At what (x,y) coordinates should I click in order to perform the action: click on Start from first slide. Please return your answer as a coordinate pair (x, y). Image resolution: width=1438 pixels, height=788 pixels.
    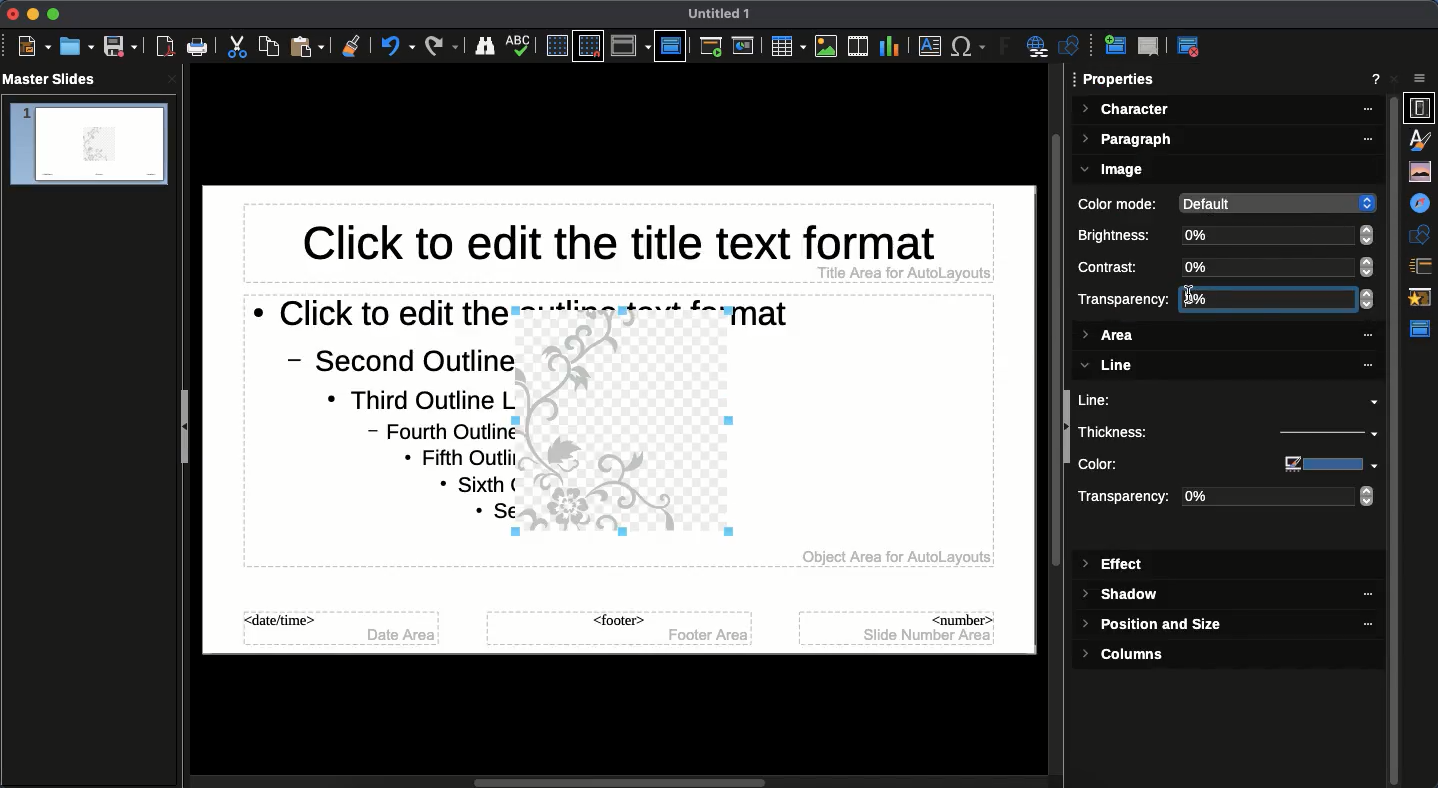
    Looking at the image, I should click on (713, 49).